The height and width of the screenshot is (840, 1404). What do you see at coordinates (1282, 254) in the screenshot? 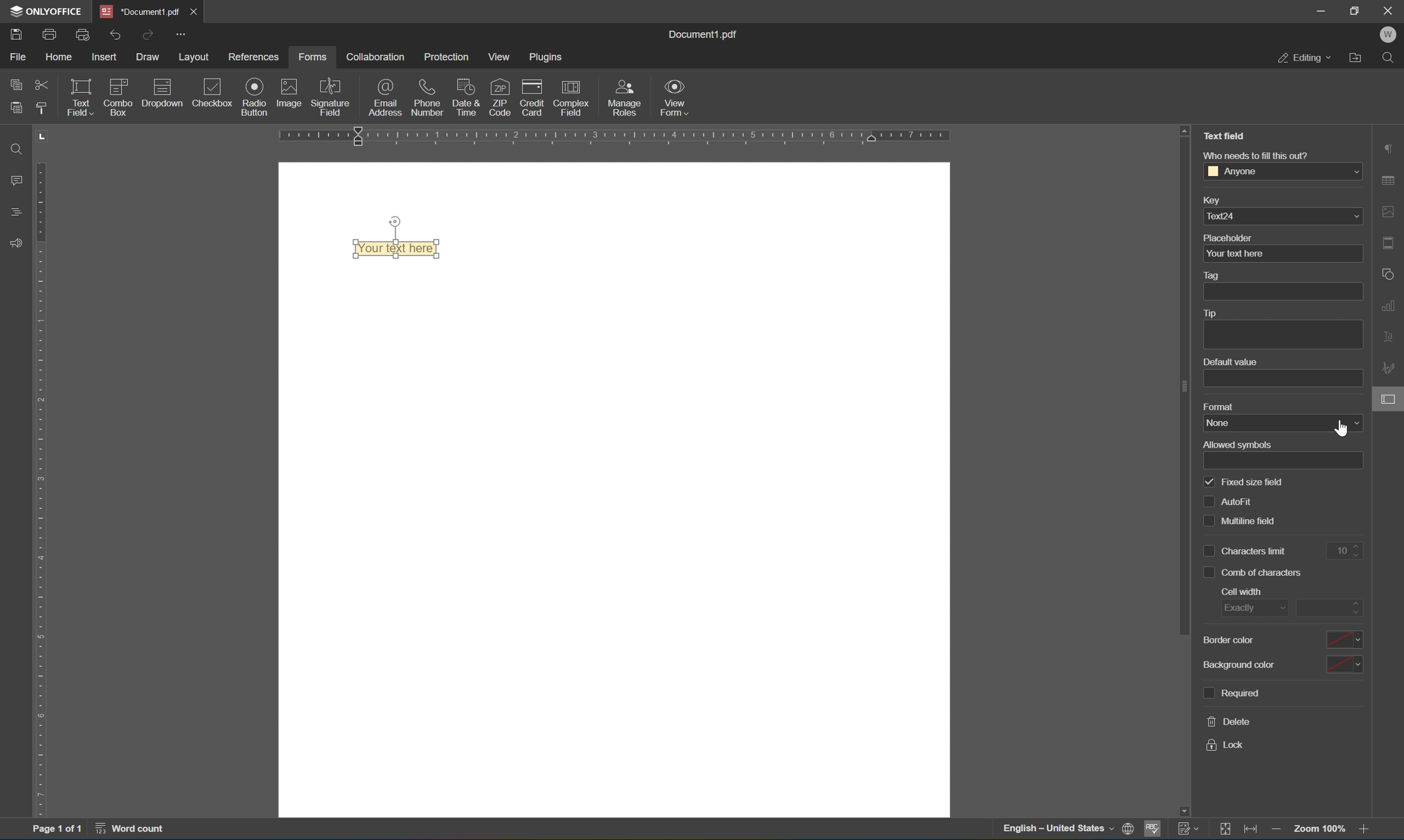
I see `your text here` at bounding box center [1282, 254].